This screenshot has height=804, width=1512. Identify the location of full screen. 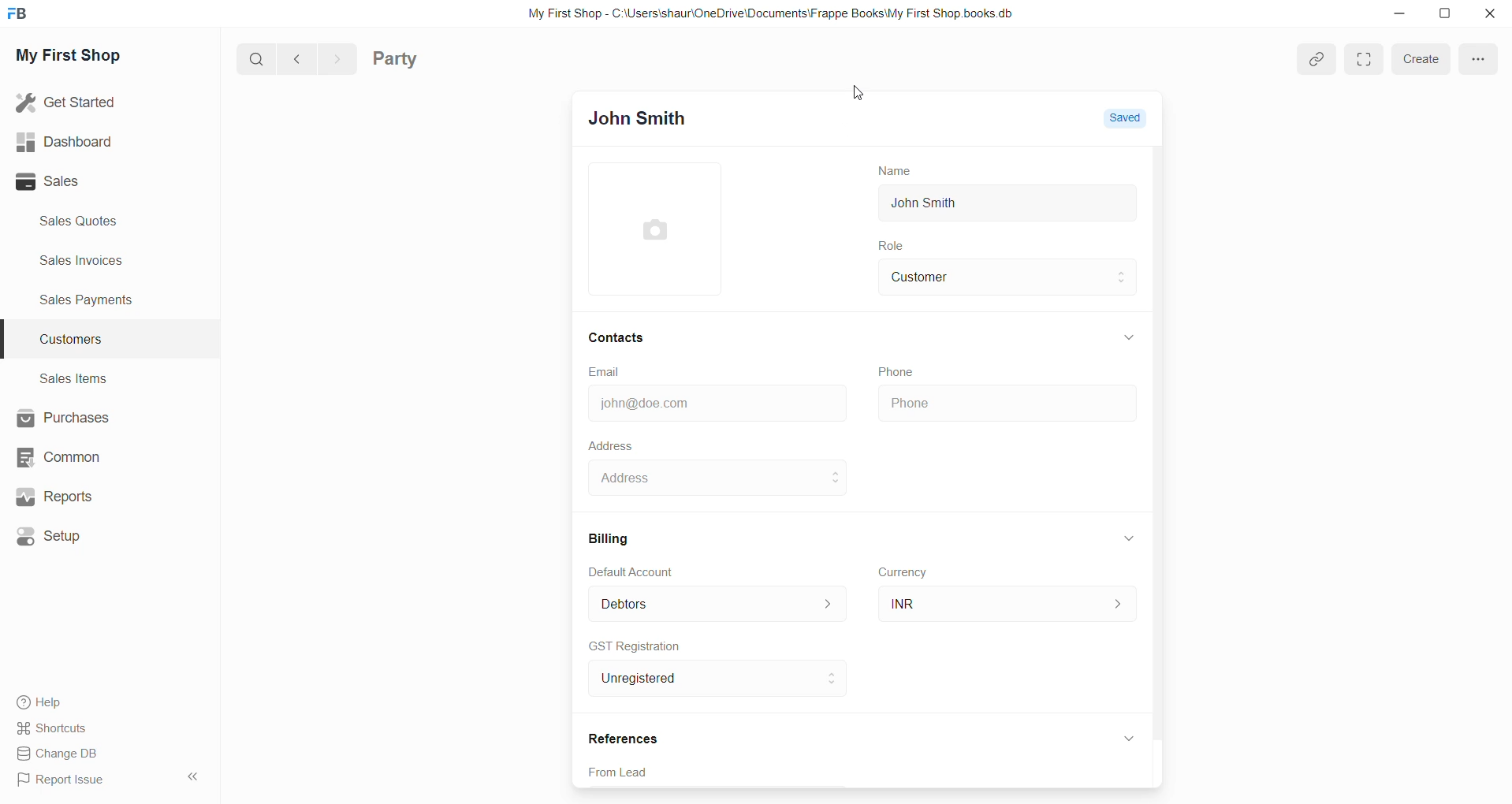
(1369, 61).